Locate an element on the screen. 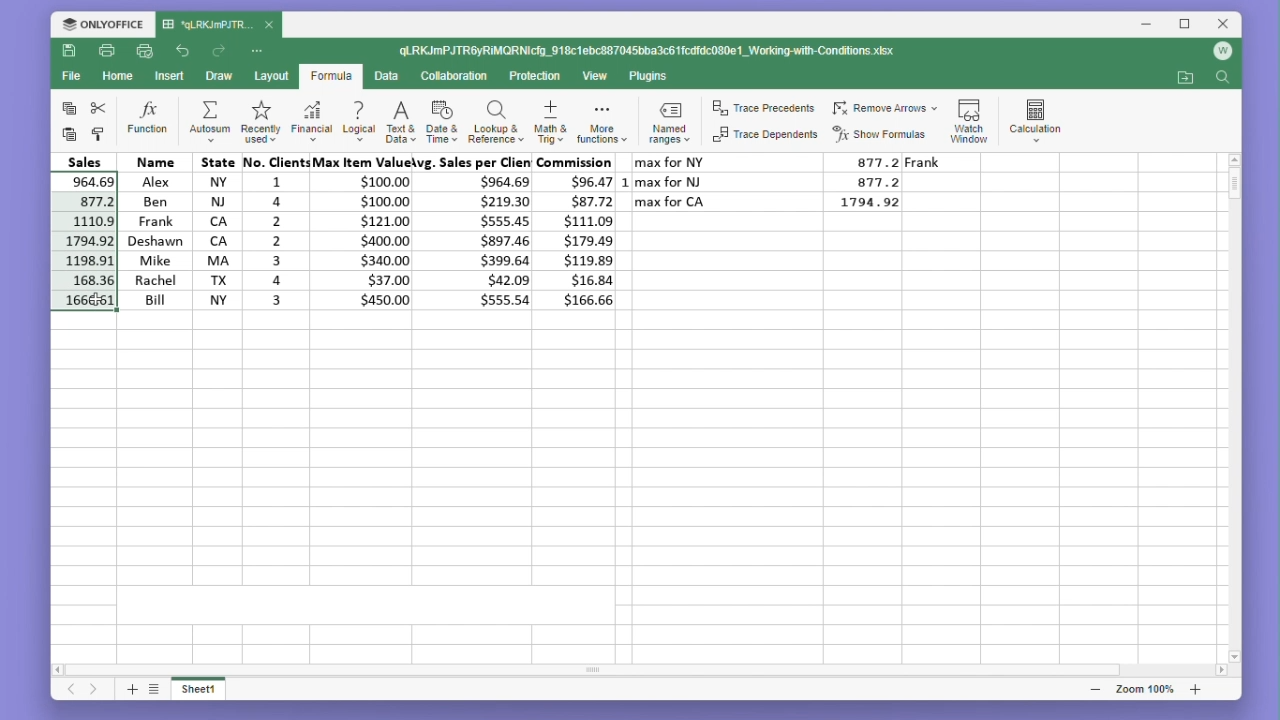 Image resolution: width=1280 pixels, height=720 pixels. Format painter is located at coordinates (98, 135).